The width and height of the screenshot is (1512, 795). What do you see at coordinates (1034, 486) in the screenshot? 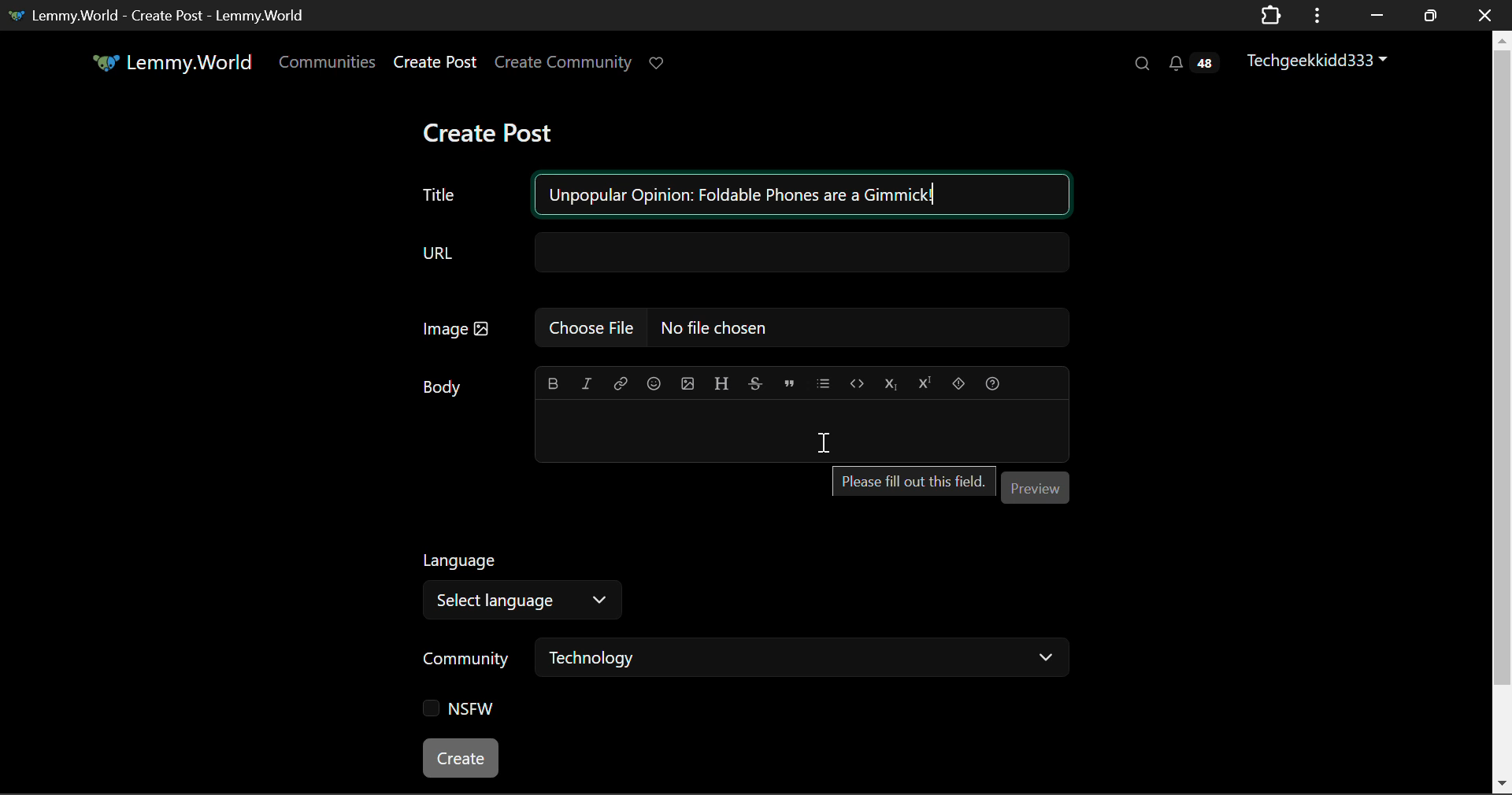
I see `Post Preview Button` at bounding box center [1034, 486].